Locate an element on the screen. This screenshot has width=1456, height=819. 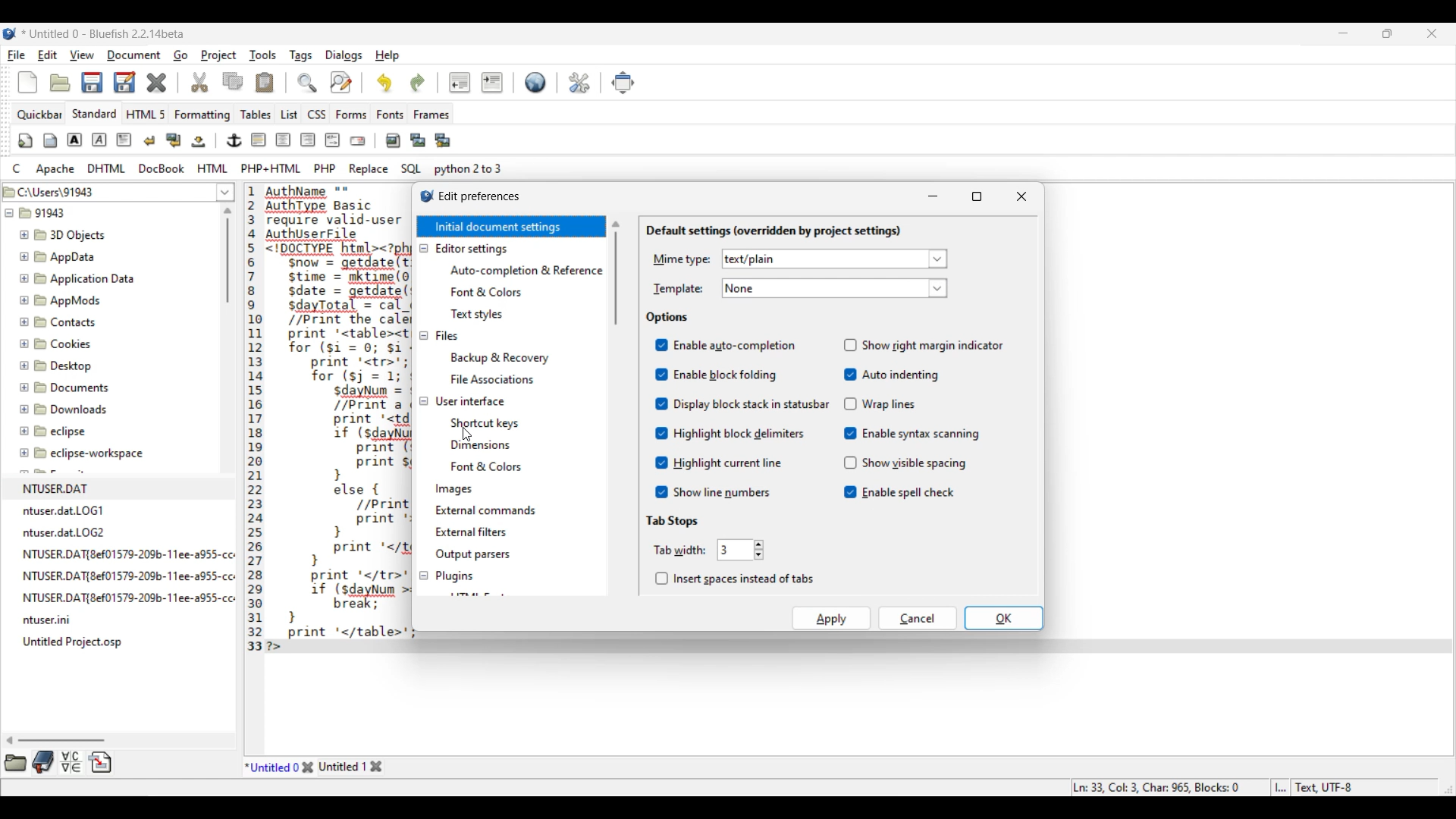
File menu is located at coordinates (17, 55).